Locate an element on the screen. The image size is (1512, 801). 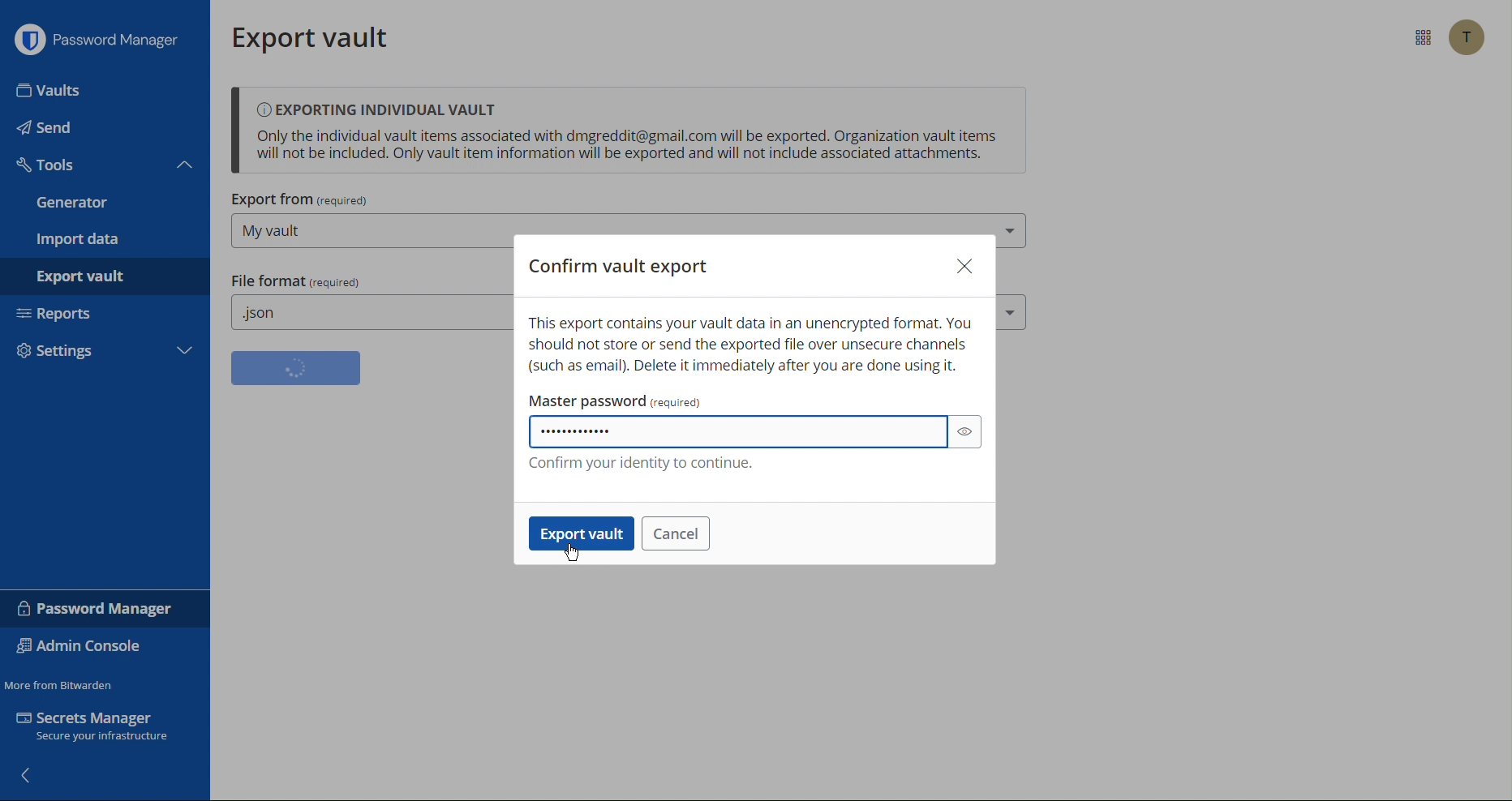
Password is located at coordinates (740, 430).